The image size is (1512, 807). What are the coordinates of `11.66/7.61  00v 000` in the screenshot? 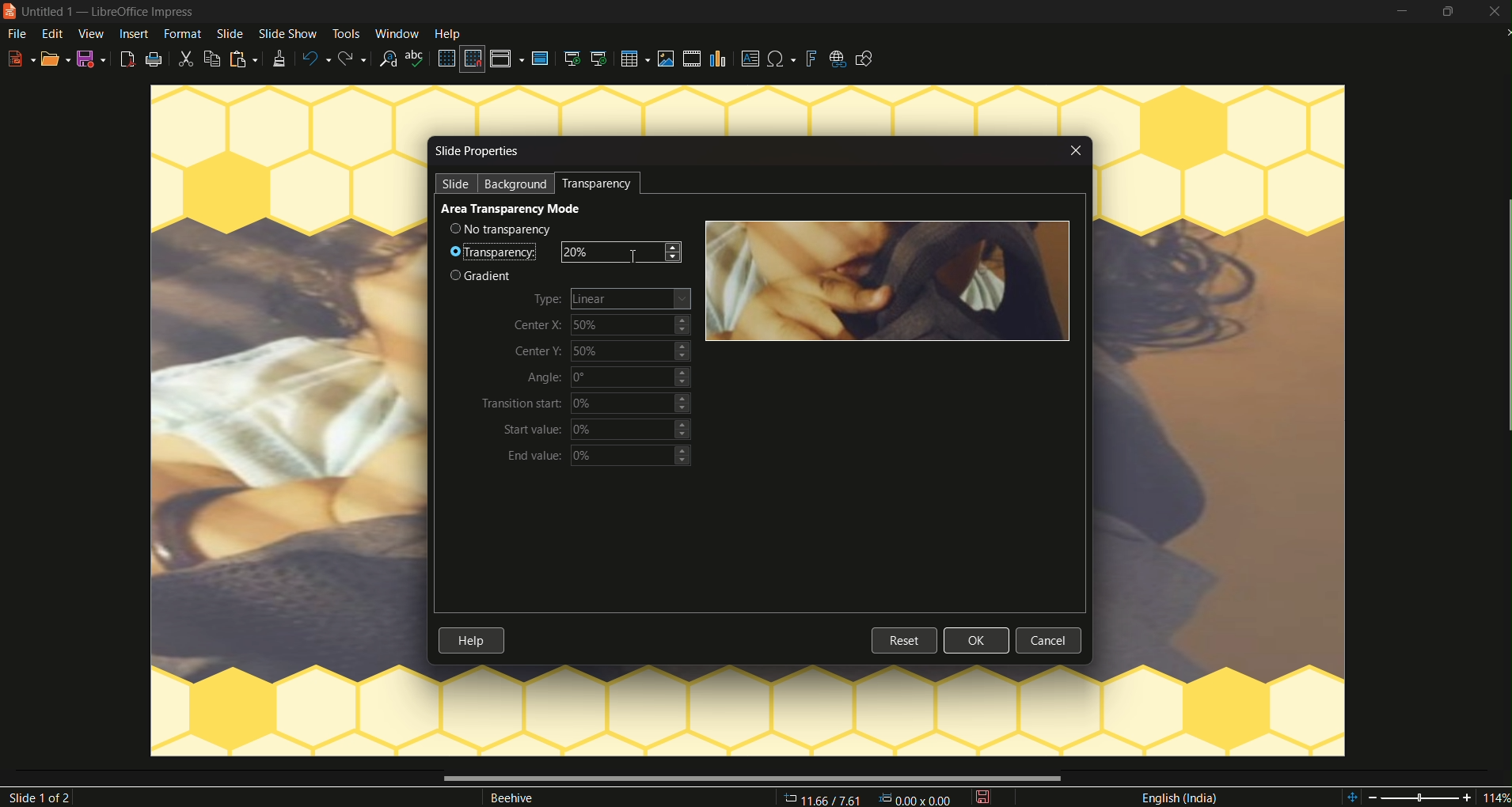 It's located at (864, 798).